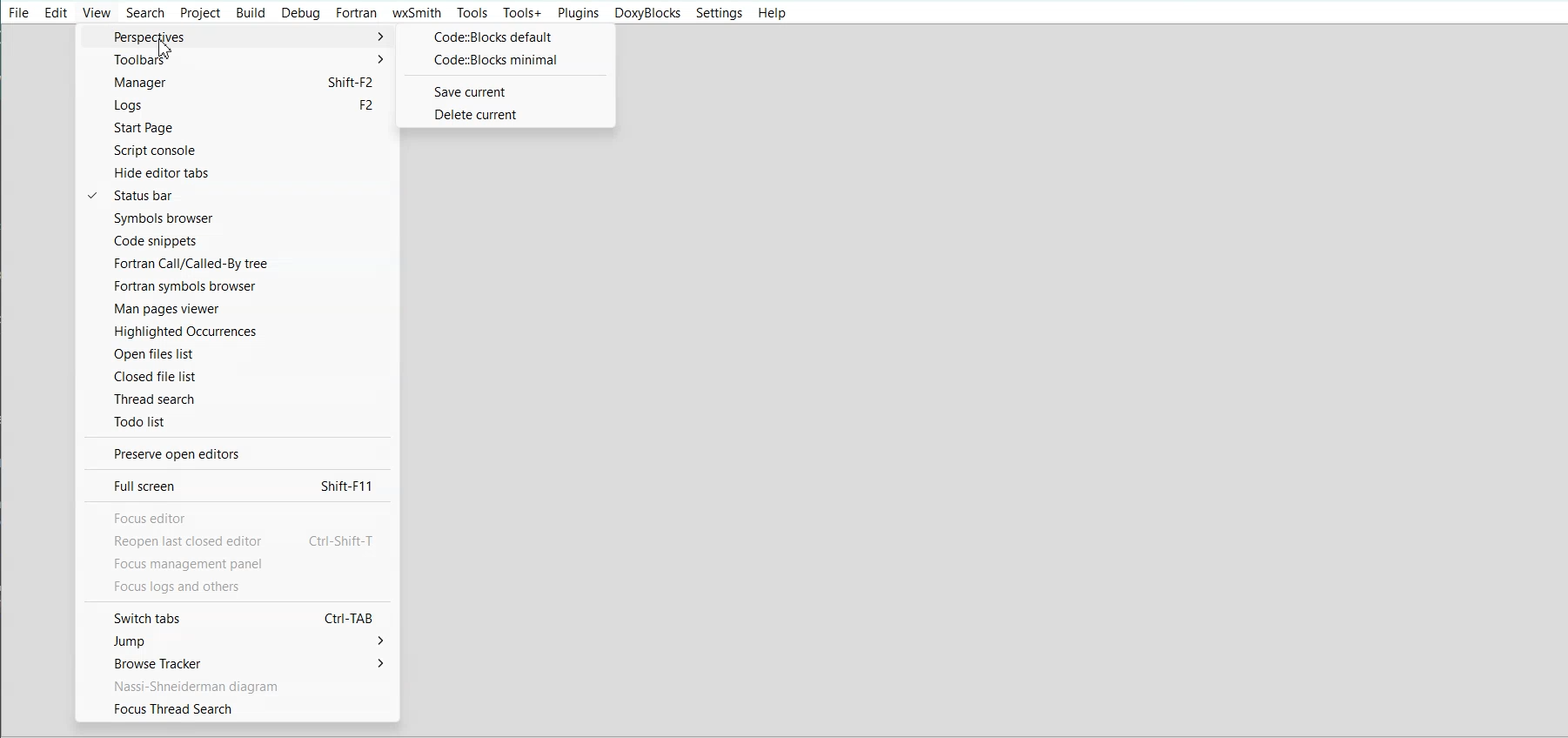  I want to click on Focus thread search, so click(245, 708).